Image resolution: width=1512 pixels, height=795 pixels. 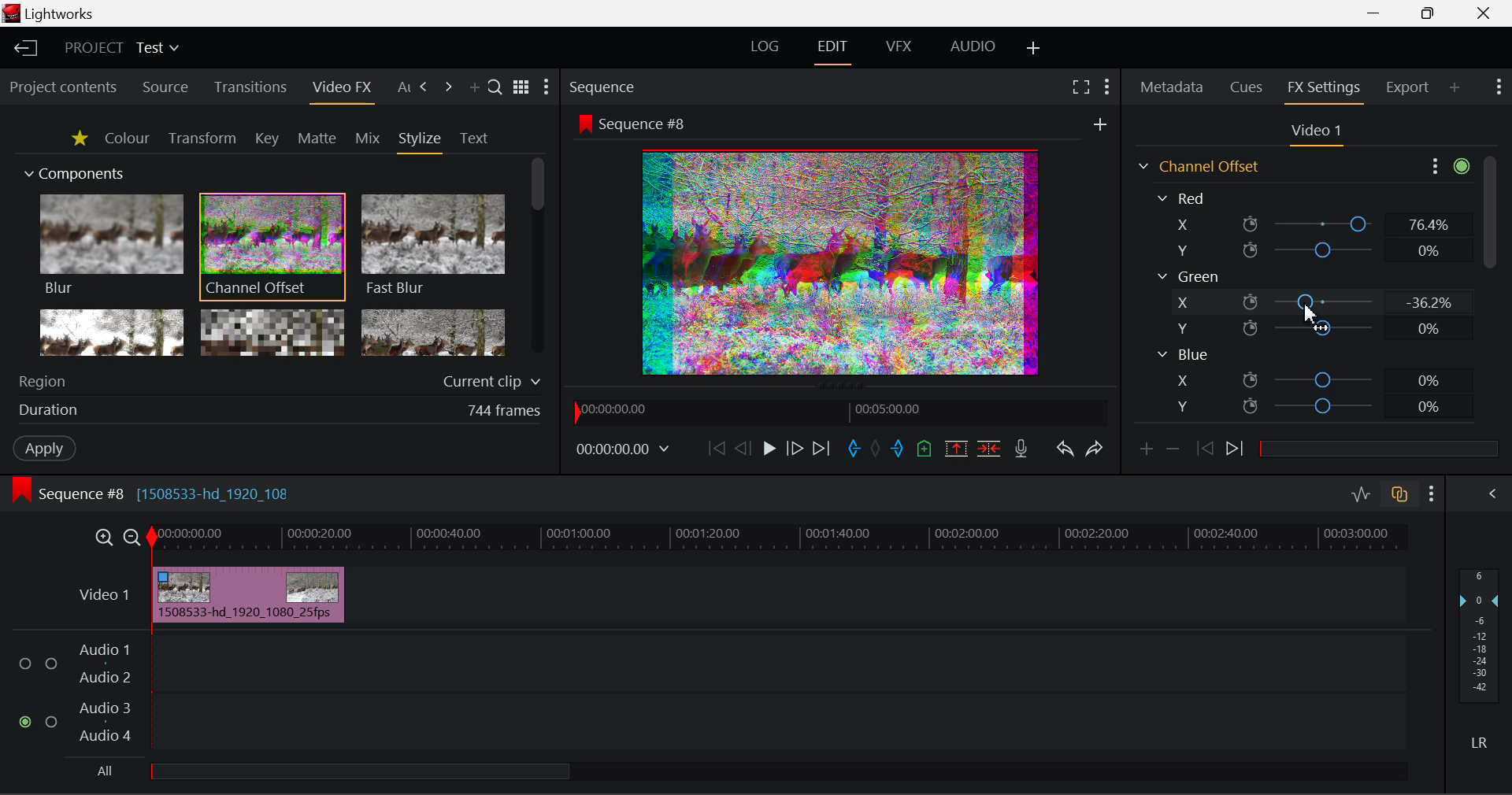 What do you see at coordinates (1408, 87) in the screenshot?
I see `Export` at bounding box center [1408, 87].